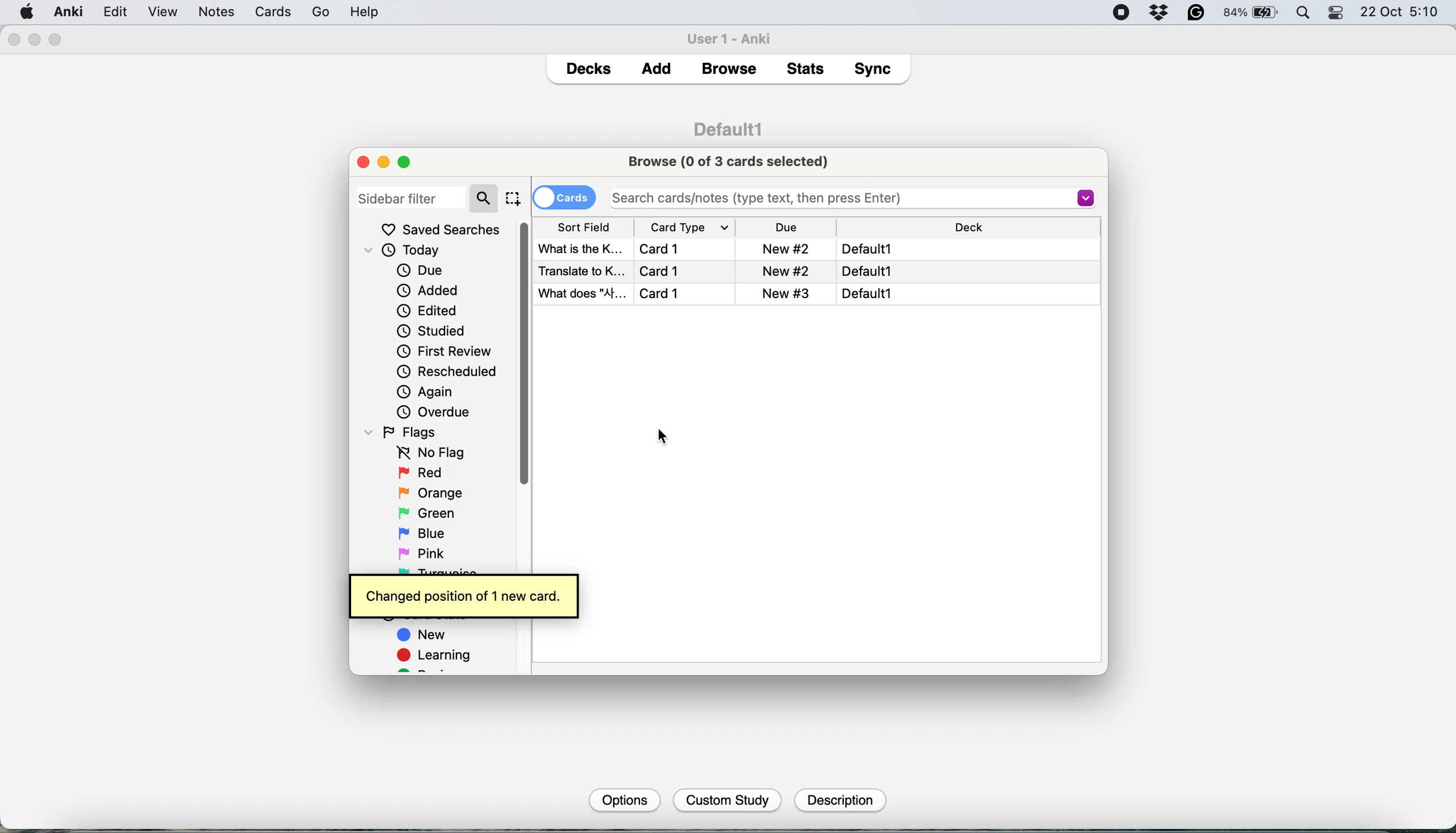 Image resolution: width=1456 pixels, height=833 pixels. What do you see at coordinates (404, 431) in the screenshot?
I see `flags` at bounding box center [404, 431].